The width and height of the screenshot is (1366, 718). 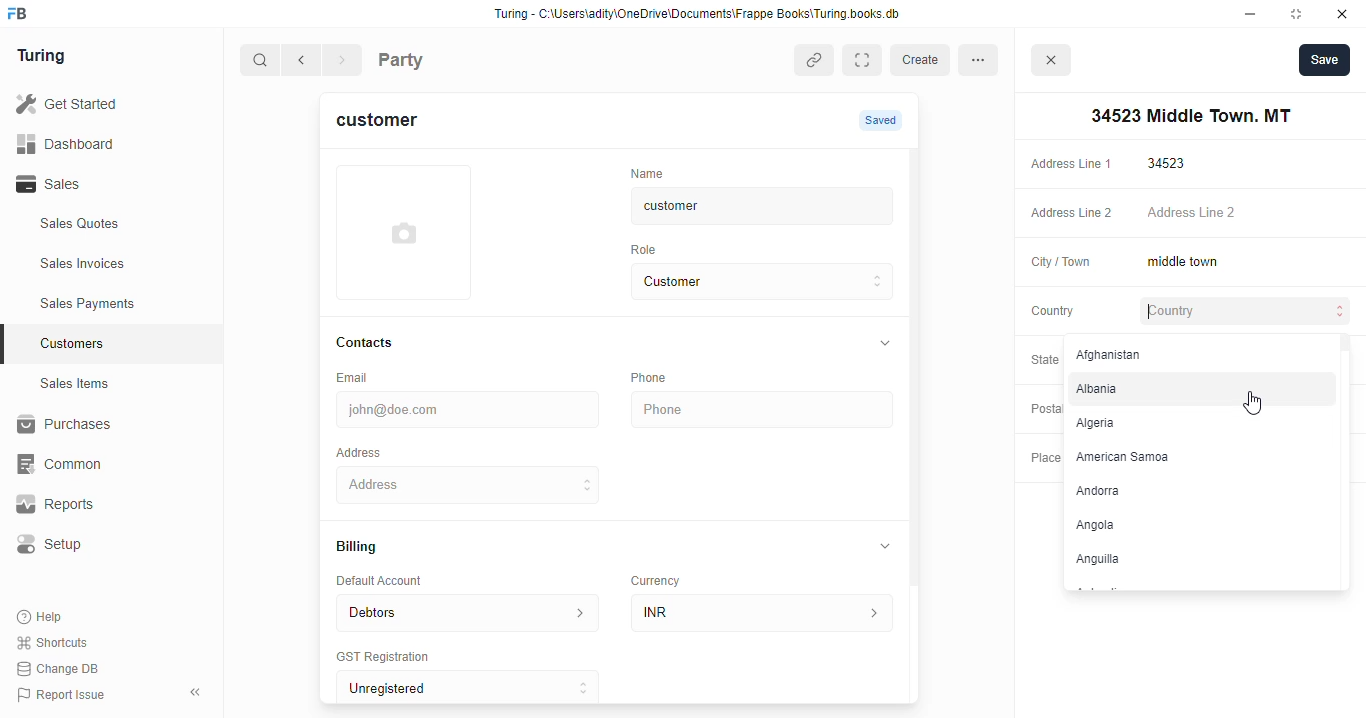 What do you see at coordinates (384, 343) in the screenshot?
I see `Contacts` at bounding box center [384, 343].